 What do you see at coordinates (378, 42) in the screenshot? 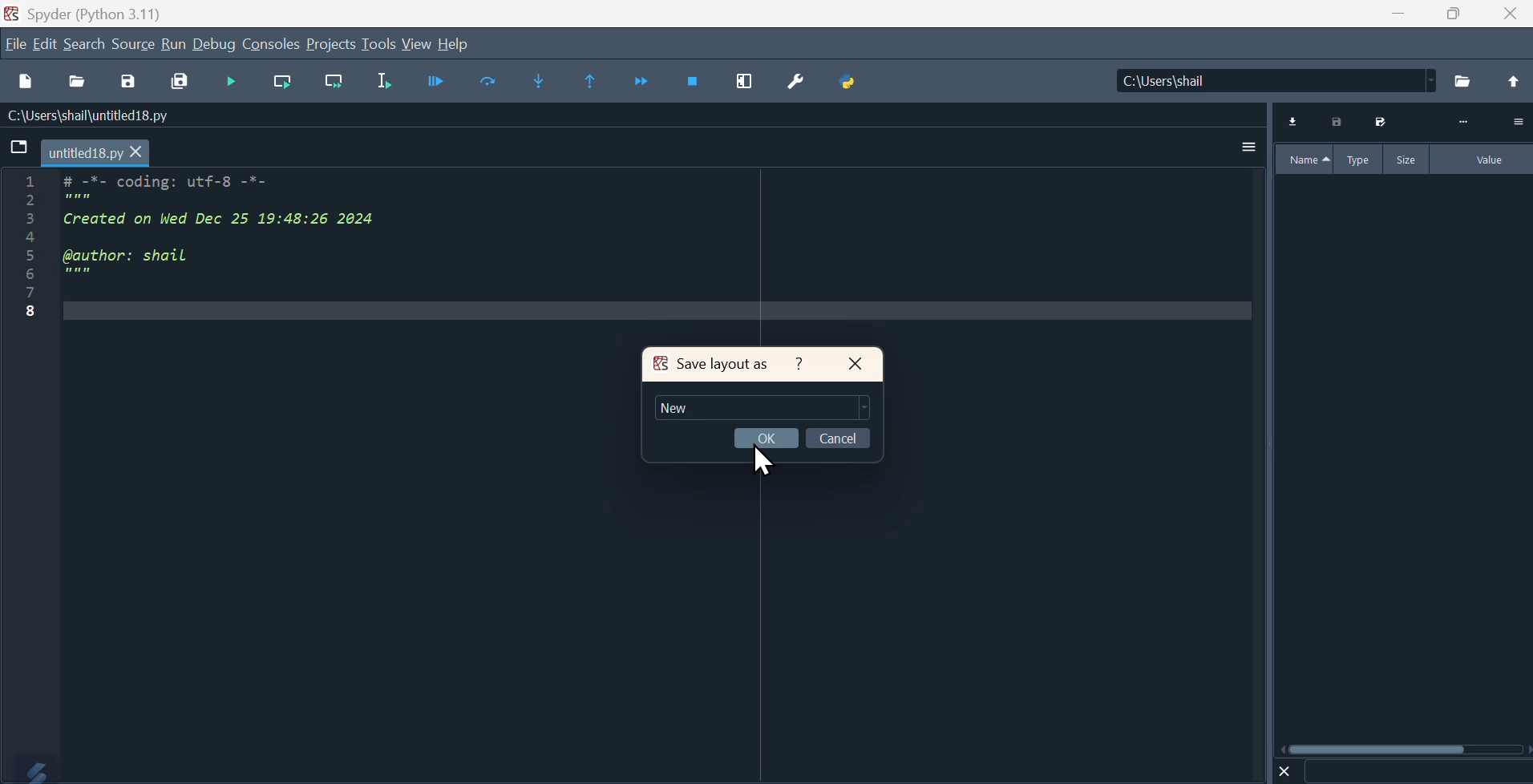
I see `Tools` at bounding box center [378, 42].